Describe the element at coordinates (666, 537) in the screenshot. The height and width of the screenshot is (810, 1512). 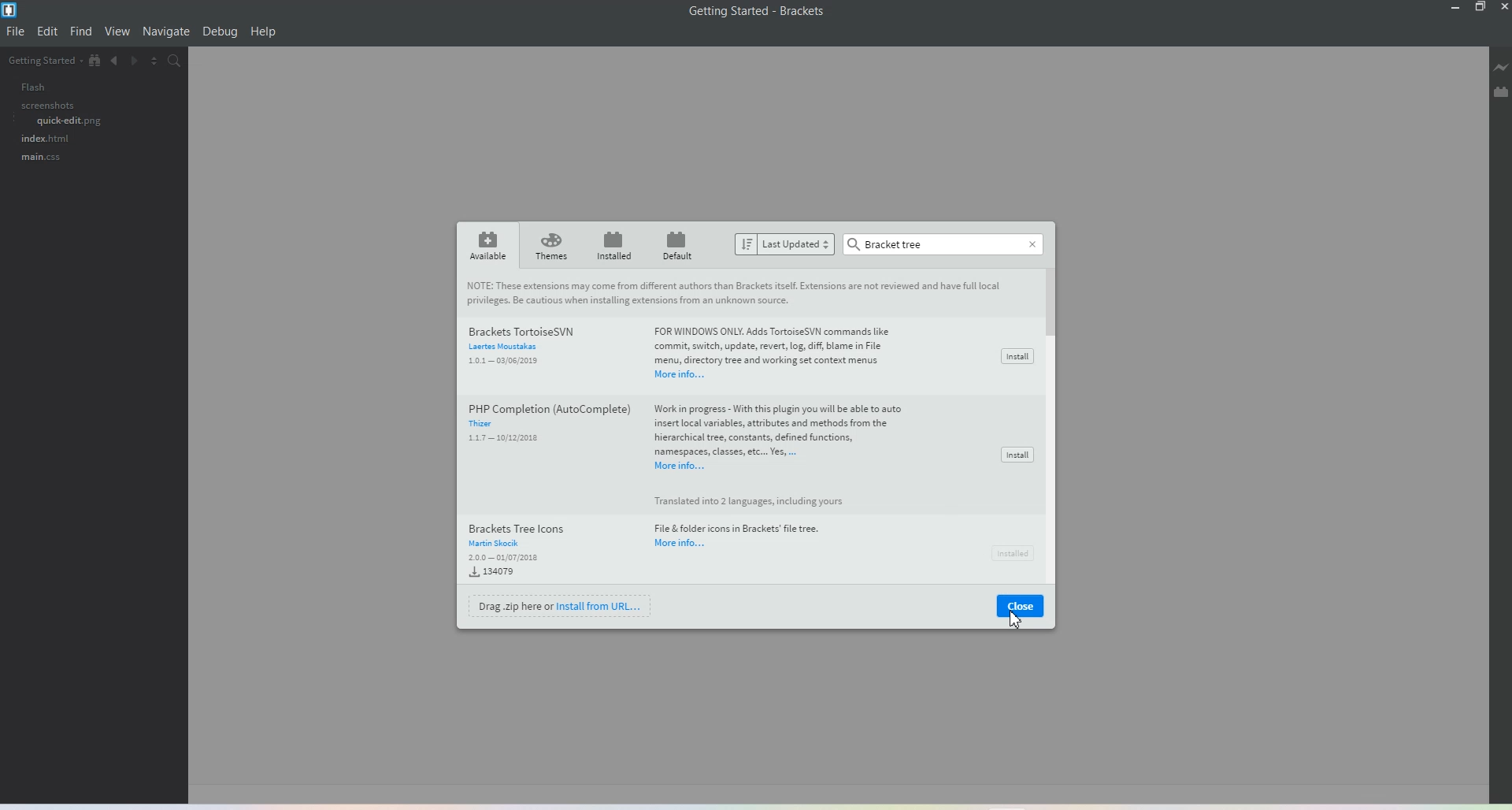
I see `Brackets Tree Icons` at that location.